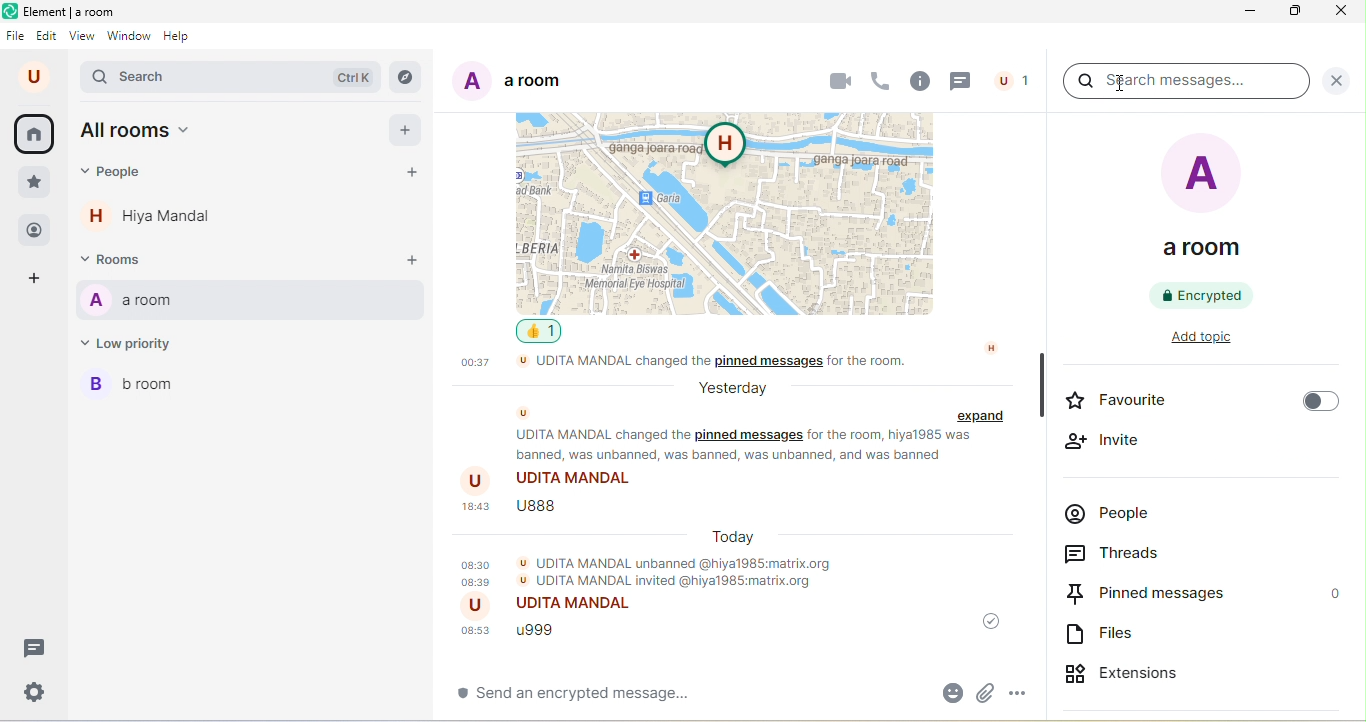  What do you see at coordinates (411, 261) in the screenshot?
I see `add room` at bounding box center [411, 261].